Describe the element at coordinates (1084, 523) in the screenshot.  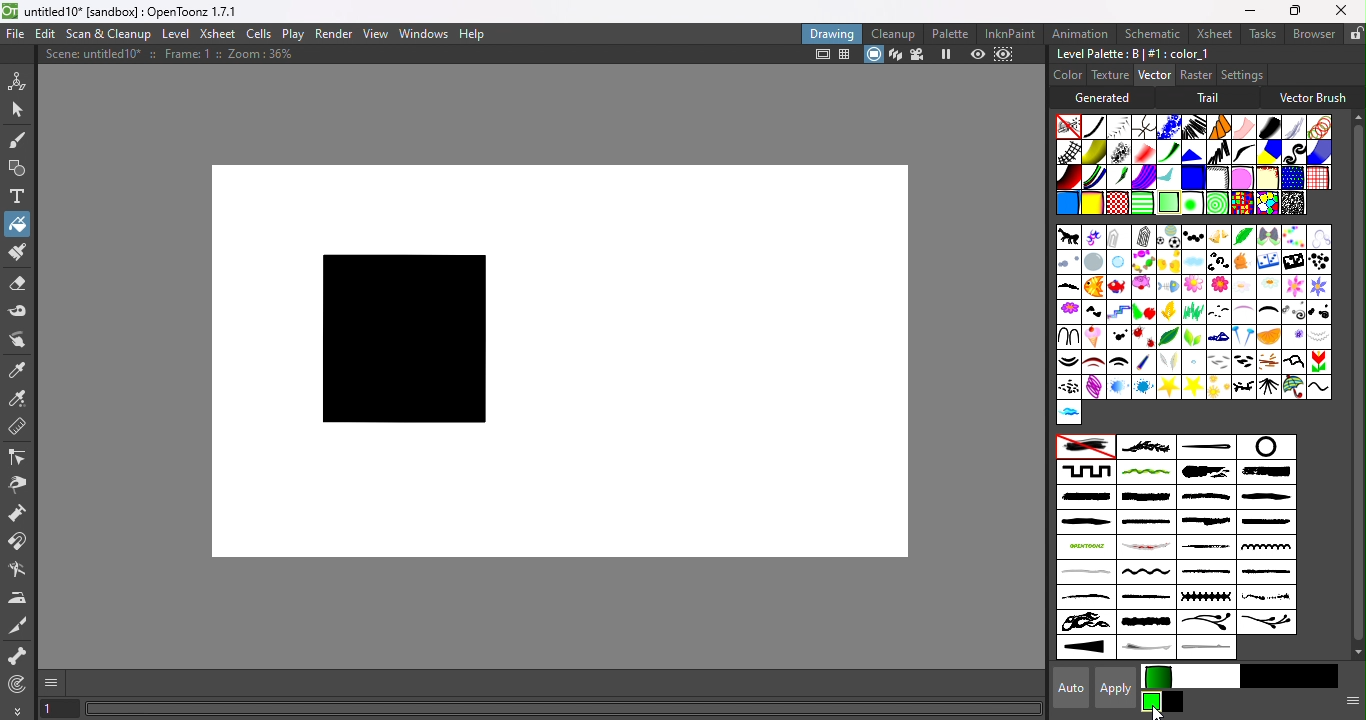
I see `medium_brush3` at that location.